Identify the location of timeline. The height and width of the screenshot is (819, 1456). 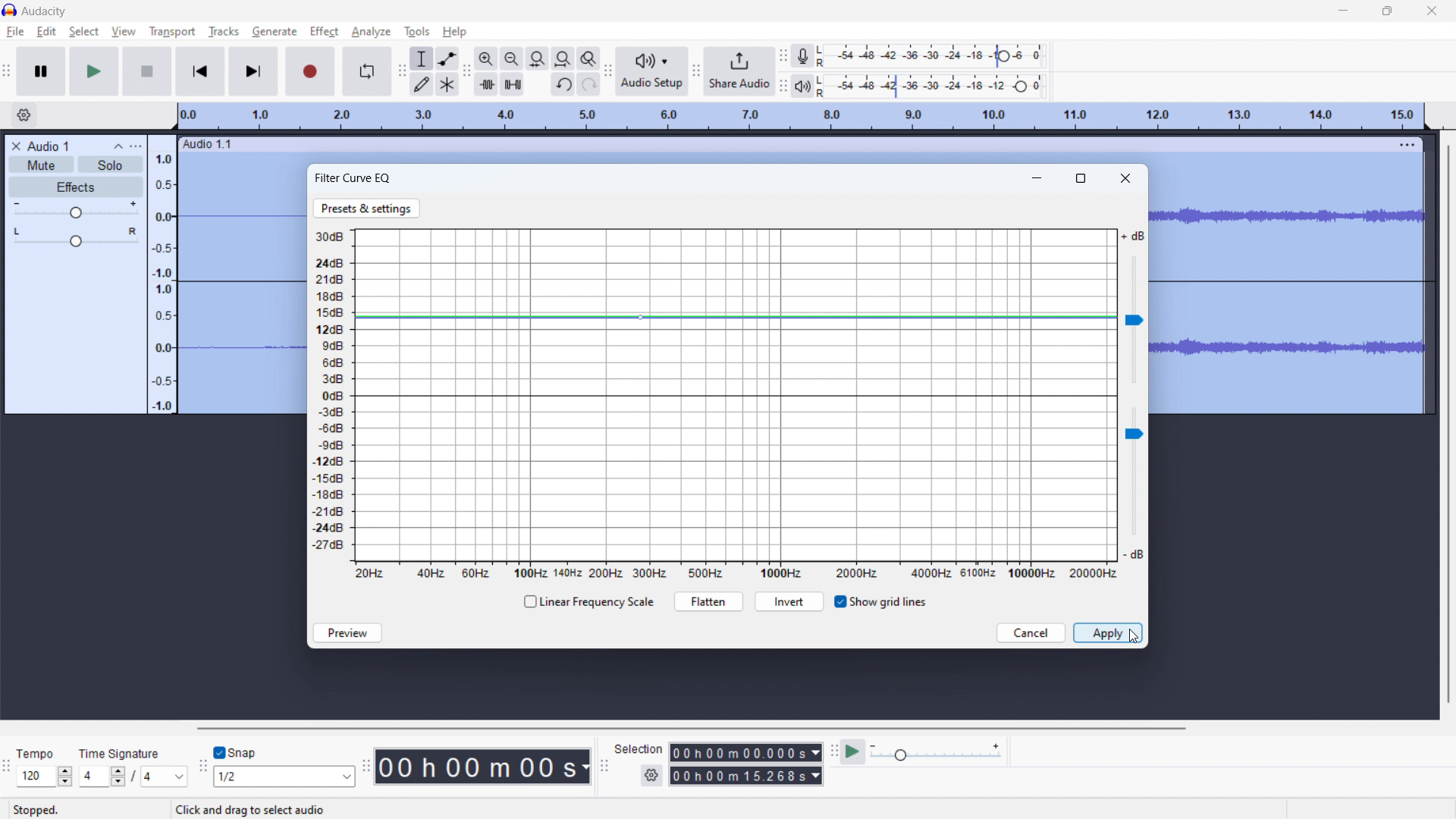
(803, 117).